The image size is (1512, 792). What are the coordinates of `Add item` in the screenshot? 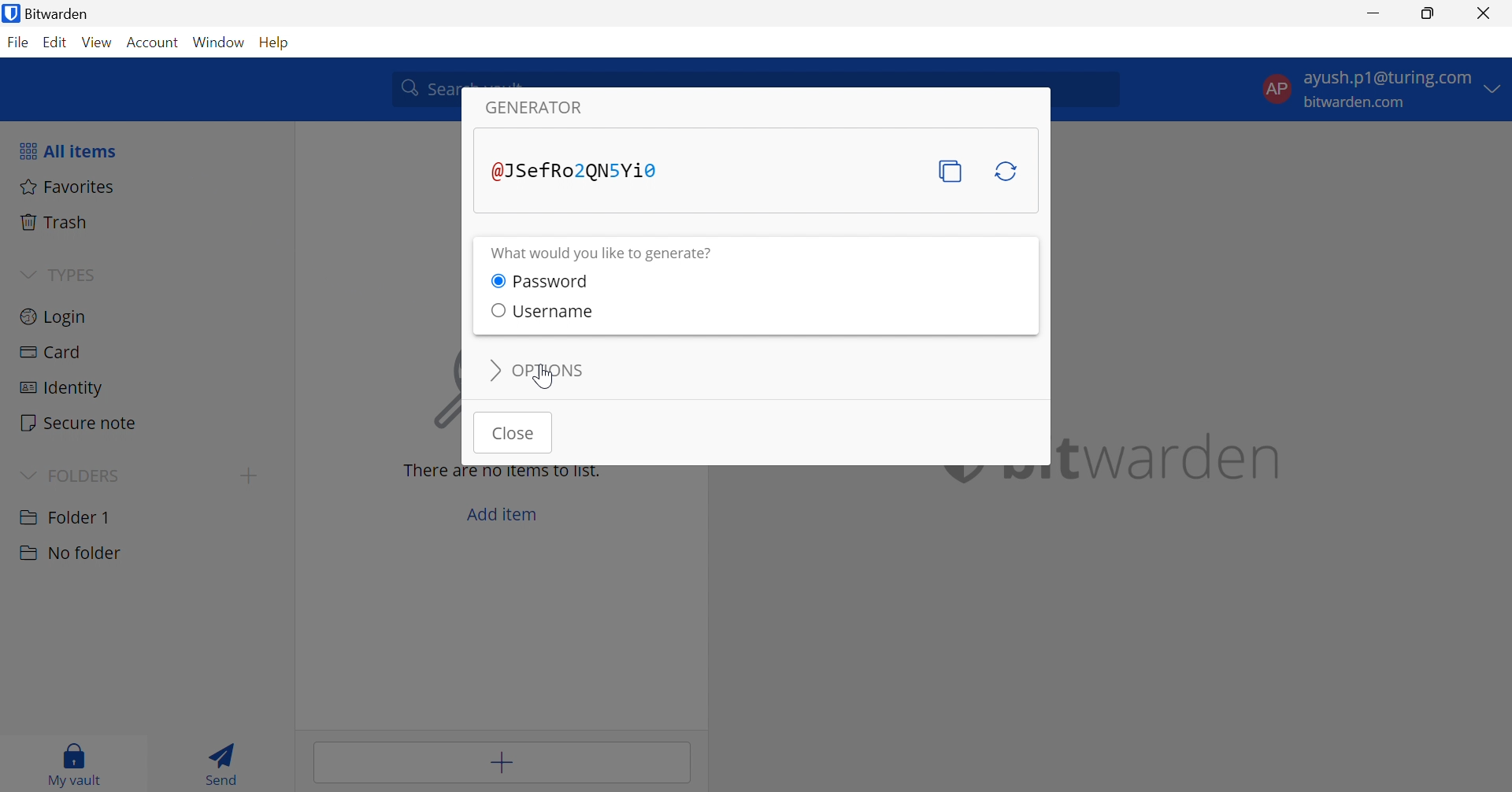 It's located at (504, 514).